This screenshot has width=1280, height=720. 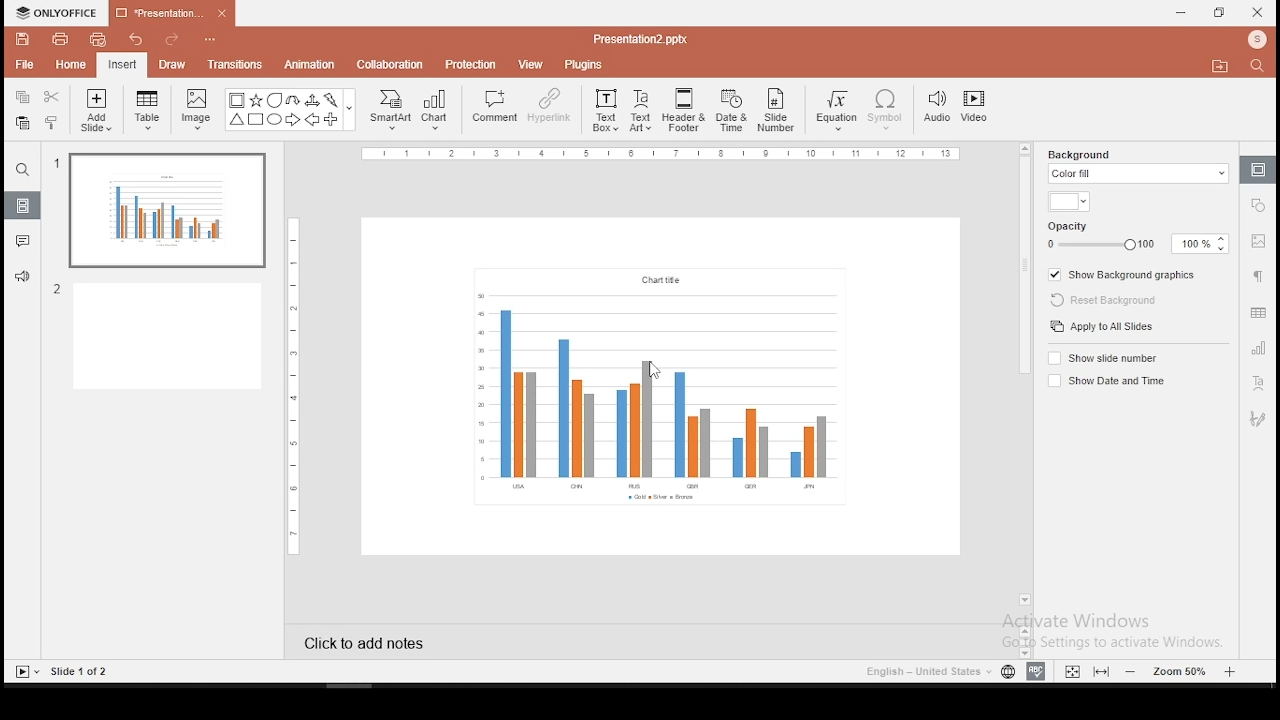 I want to click on slides, so click(x=21, y=205).